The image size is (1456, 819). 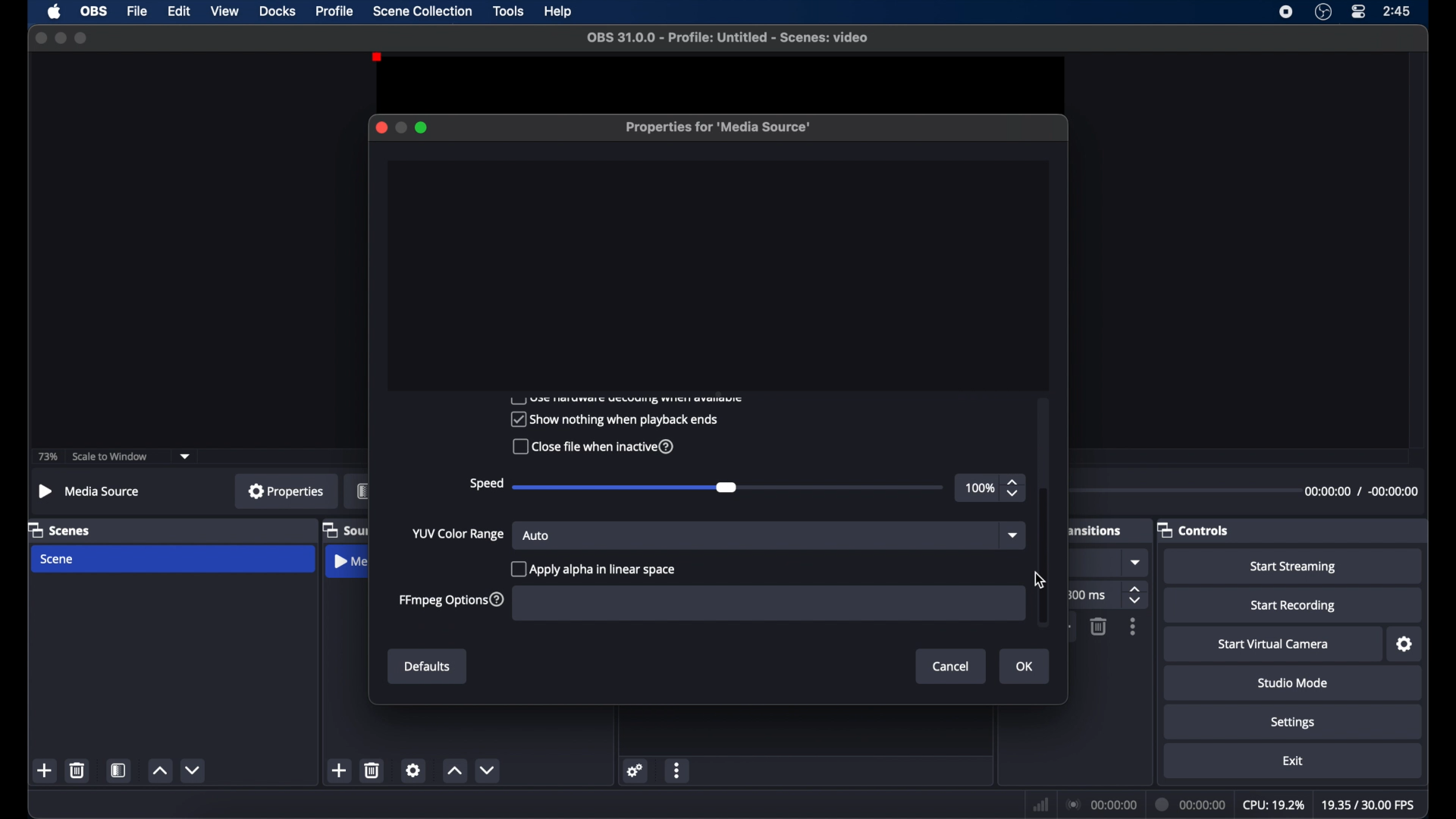 I want to click on delete, so click(x=78, y=770).